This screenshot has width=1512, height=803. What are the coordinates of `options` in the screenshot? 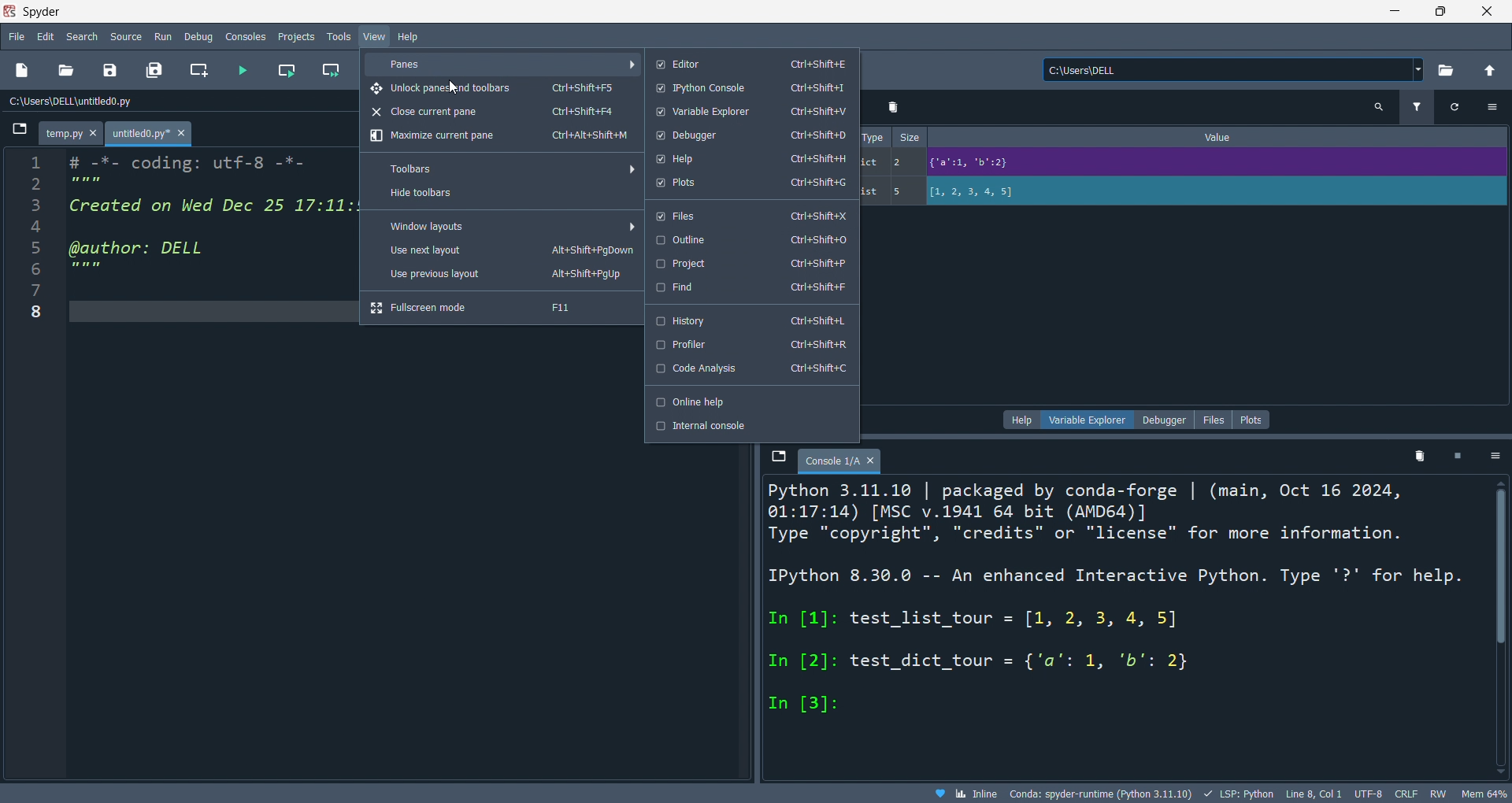 It's located at (1496, 457).